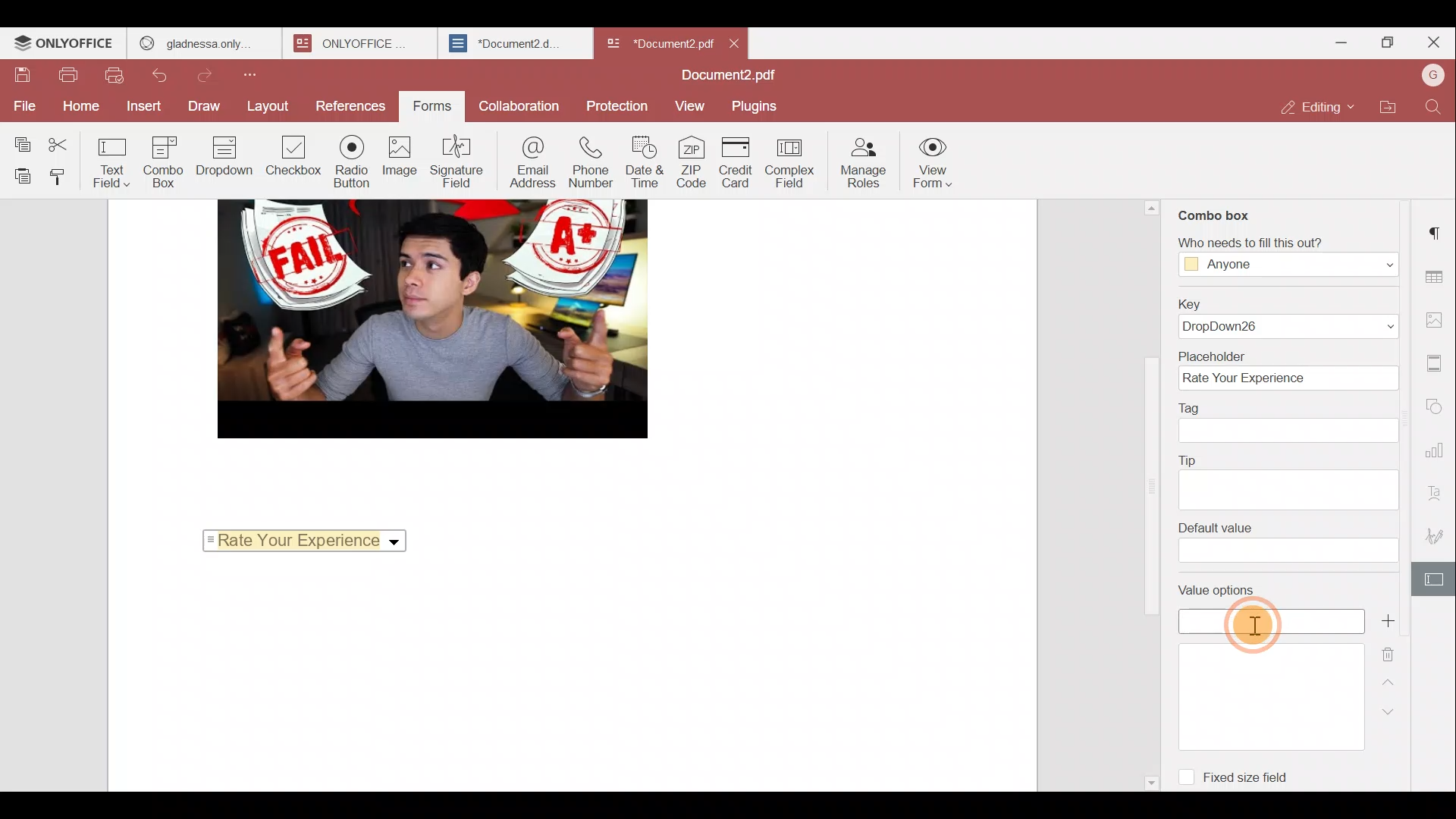 The height and width of the screenshot is (819, 1456). What do you see at coordinates (290, 158) in the screenshot?
I see `Checkbox` at bounding box center [290, 158].